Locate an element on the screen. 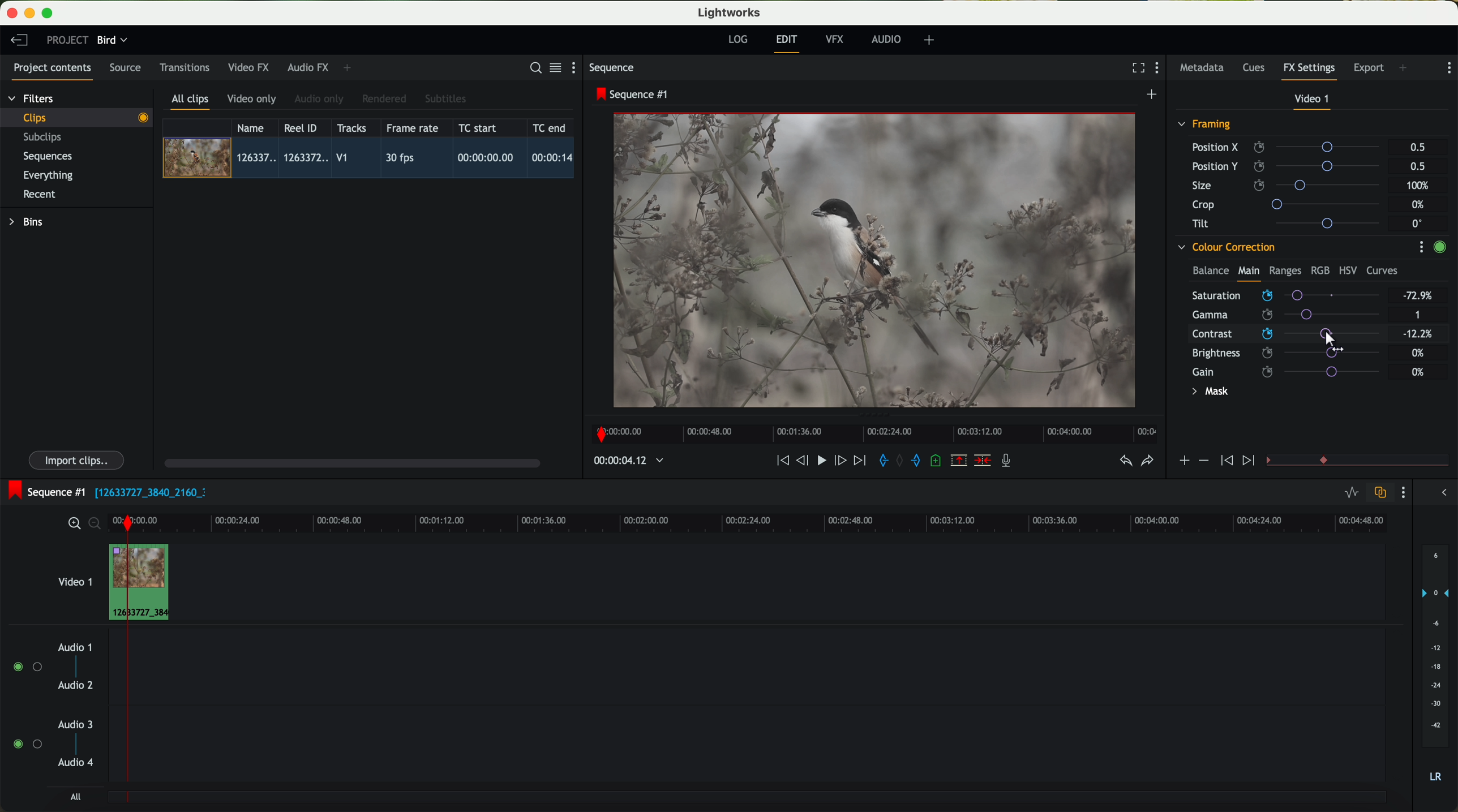  minimize program is located at coordinates (32, 14).